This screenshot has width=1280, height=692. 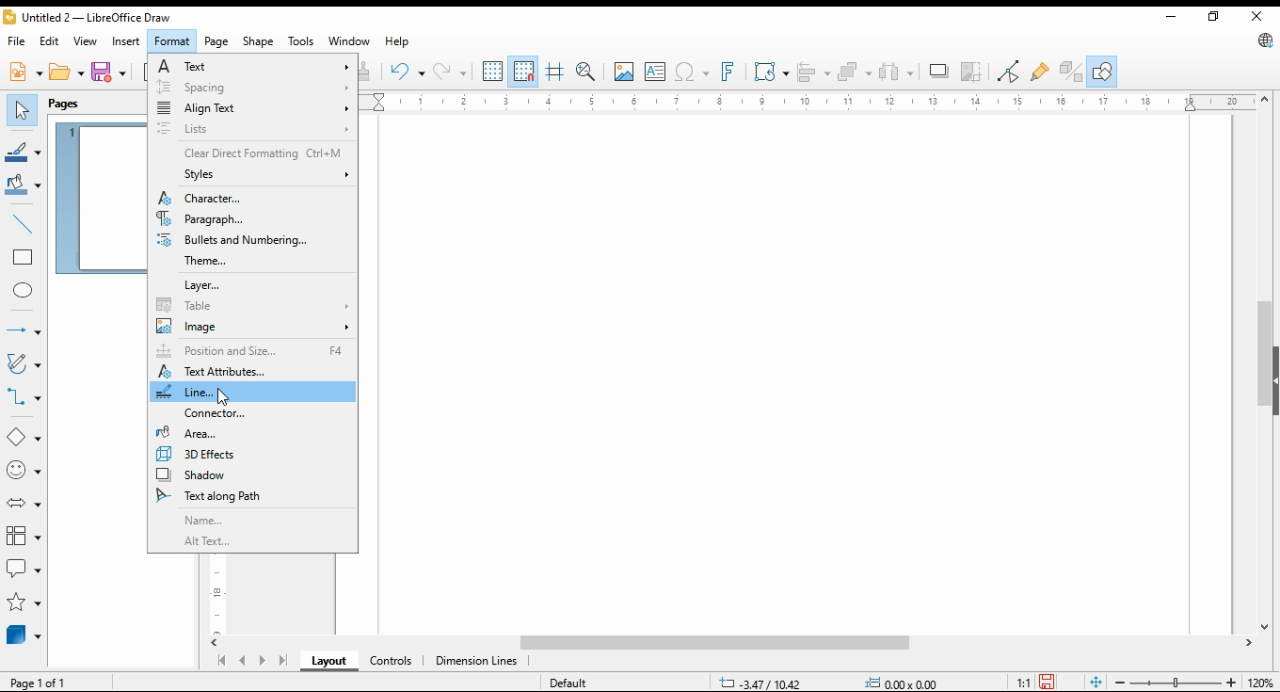 What do you see at coordinates (212, 413) in the screenshot?
I see `connector` at bounding box center [212, 413].